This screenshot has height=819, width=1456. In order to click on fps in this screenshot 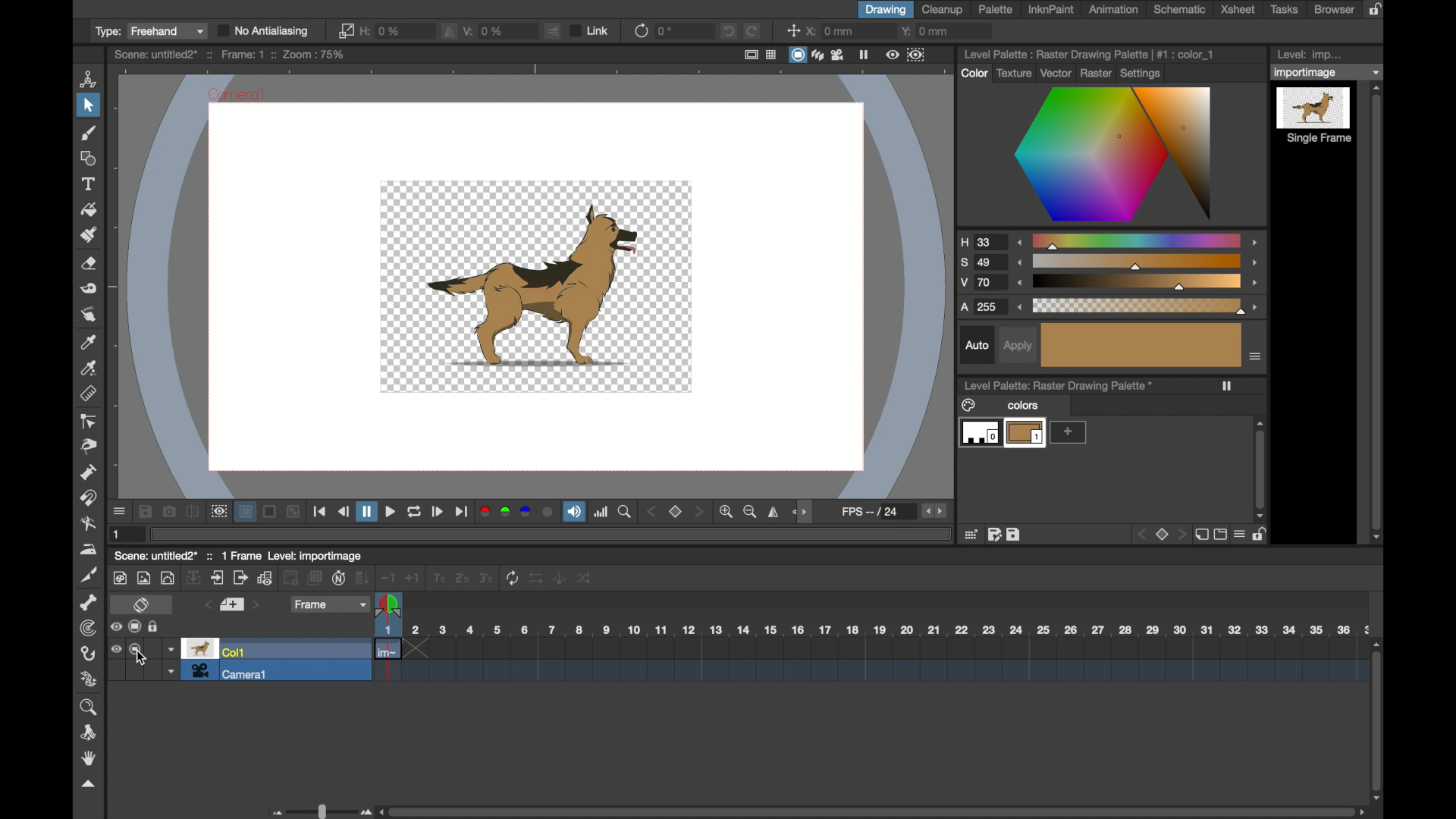, I will do `click(871, 511)`.